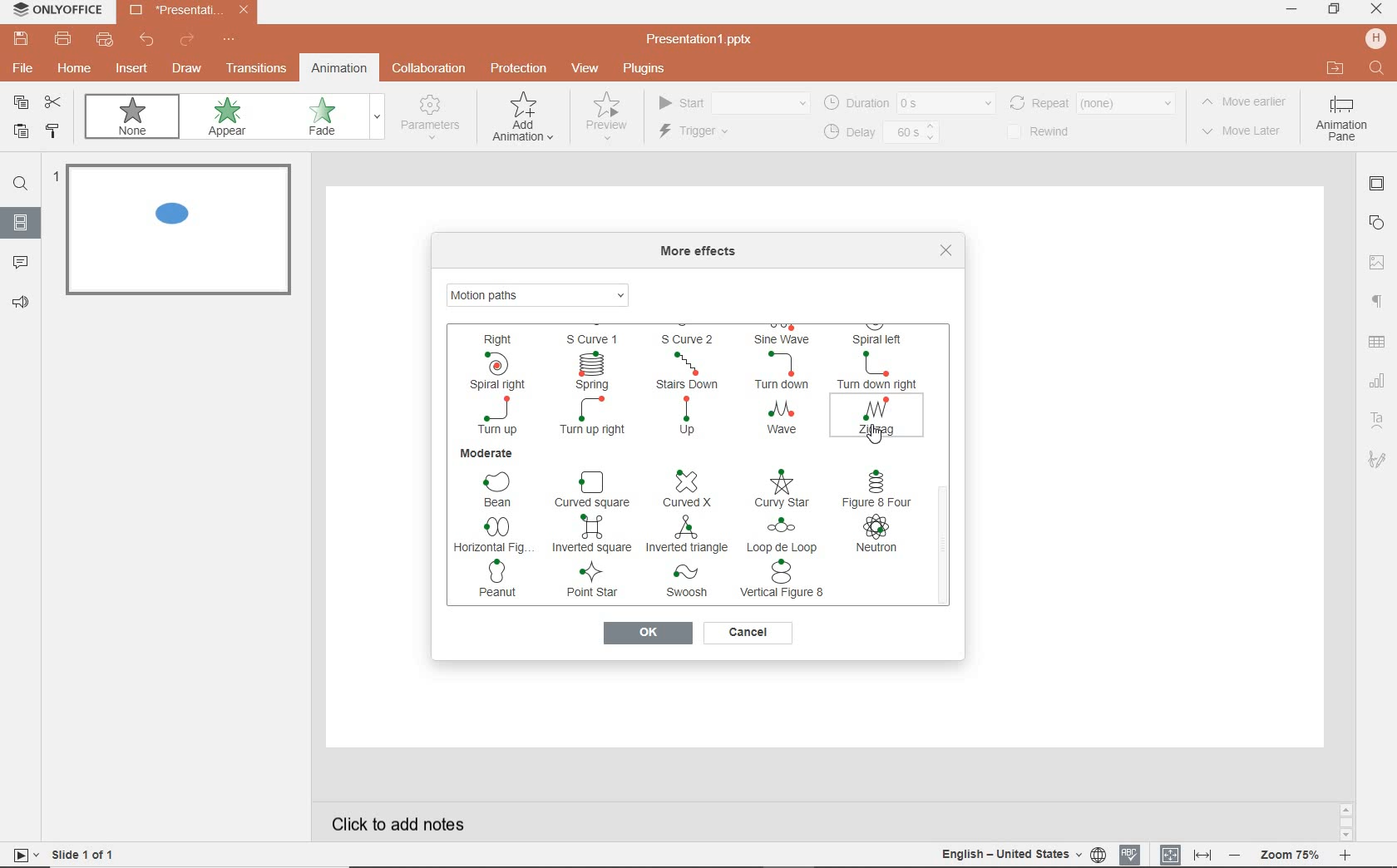 This screenshot has height=868, width=1397. What do you see at coordinates (497, 415) in the screenshot?
I see `turn up` at bounding box center [497, 415].